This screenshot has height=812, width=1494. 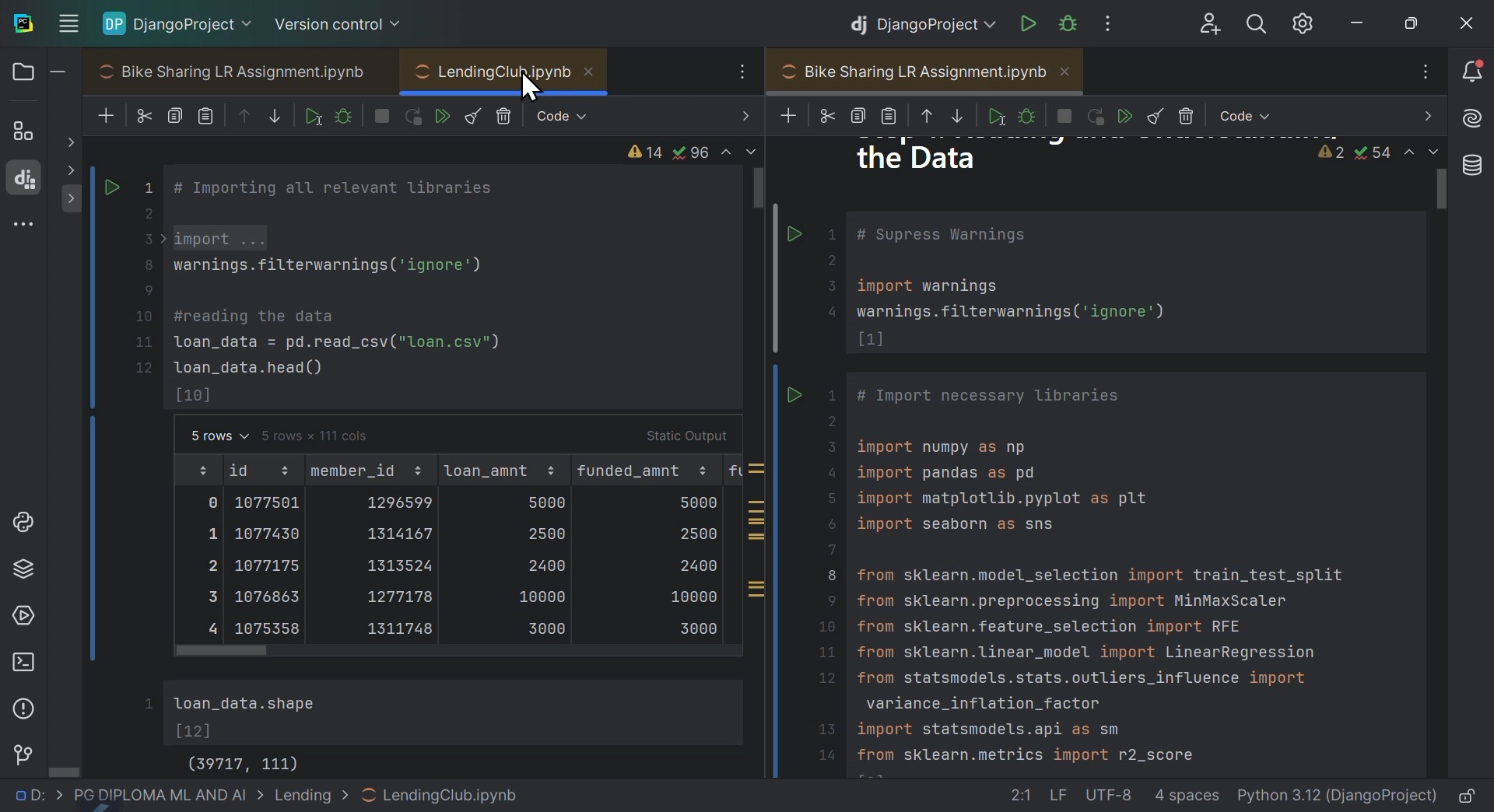 I want to click on More windows tools, so click(x=26, y=227).